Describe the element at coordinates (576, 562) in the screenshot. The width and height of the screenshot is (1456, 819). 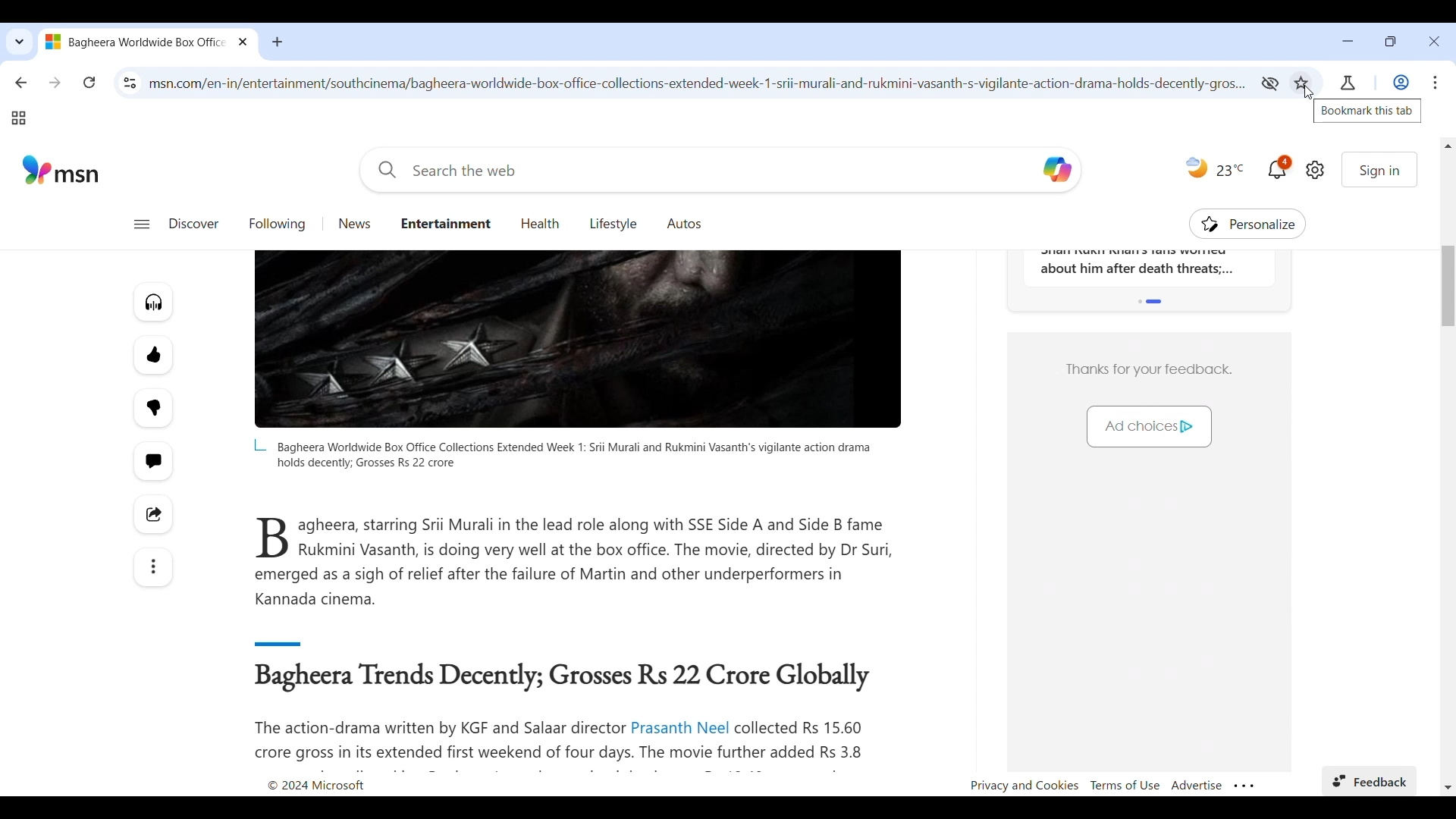
I see `agheera, starring Srii Murali in the lead role along with SSE Side A and Side B fame
B Rukmini Vasanth, is doing very well at the box office. The movie, directed by Dr Suri,
emerged as a sigh of relief after the failure of Martin and other underperformers in
Kannada cinema.` at that location.